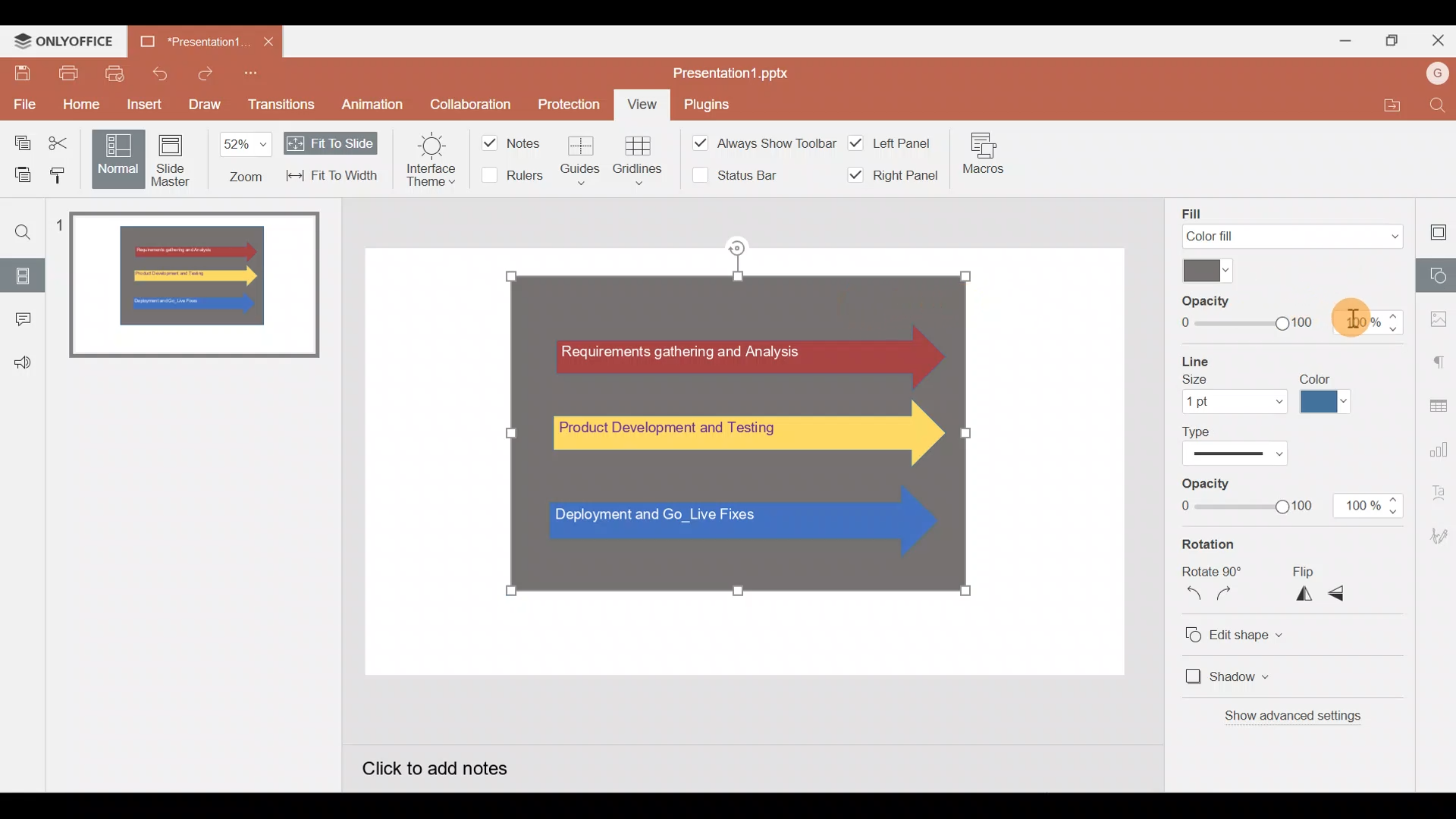 The height and width of the screenshot is (819, 1456). Describe the element at coordinates (425, 162) in the screenshot. I see `Interface theme` at that location.